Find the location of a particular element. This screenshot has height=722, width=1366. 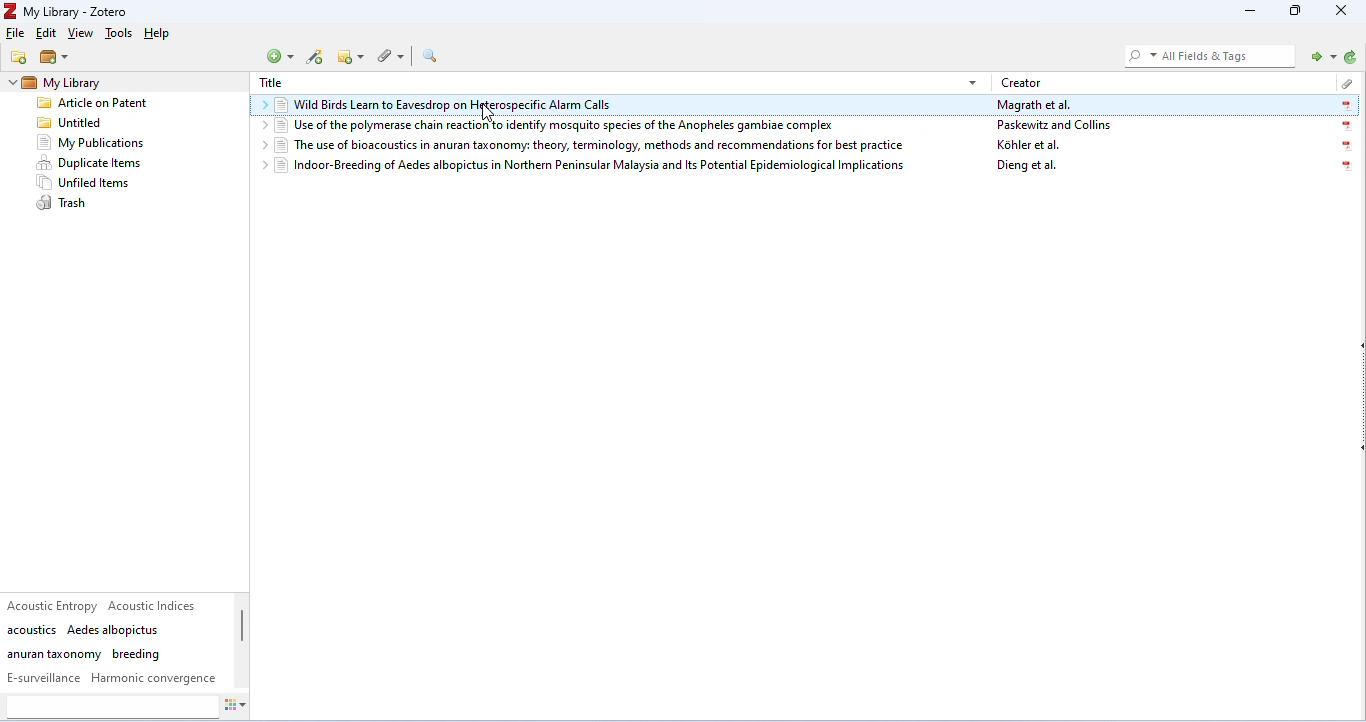

sync is located at coordinates (1351, 57).